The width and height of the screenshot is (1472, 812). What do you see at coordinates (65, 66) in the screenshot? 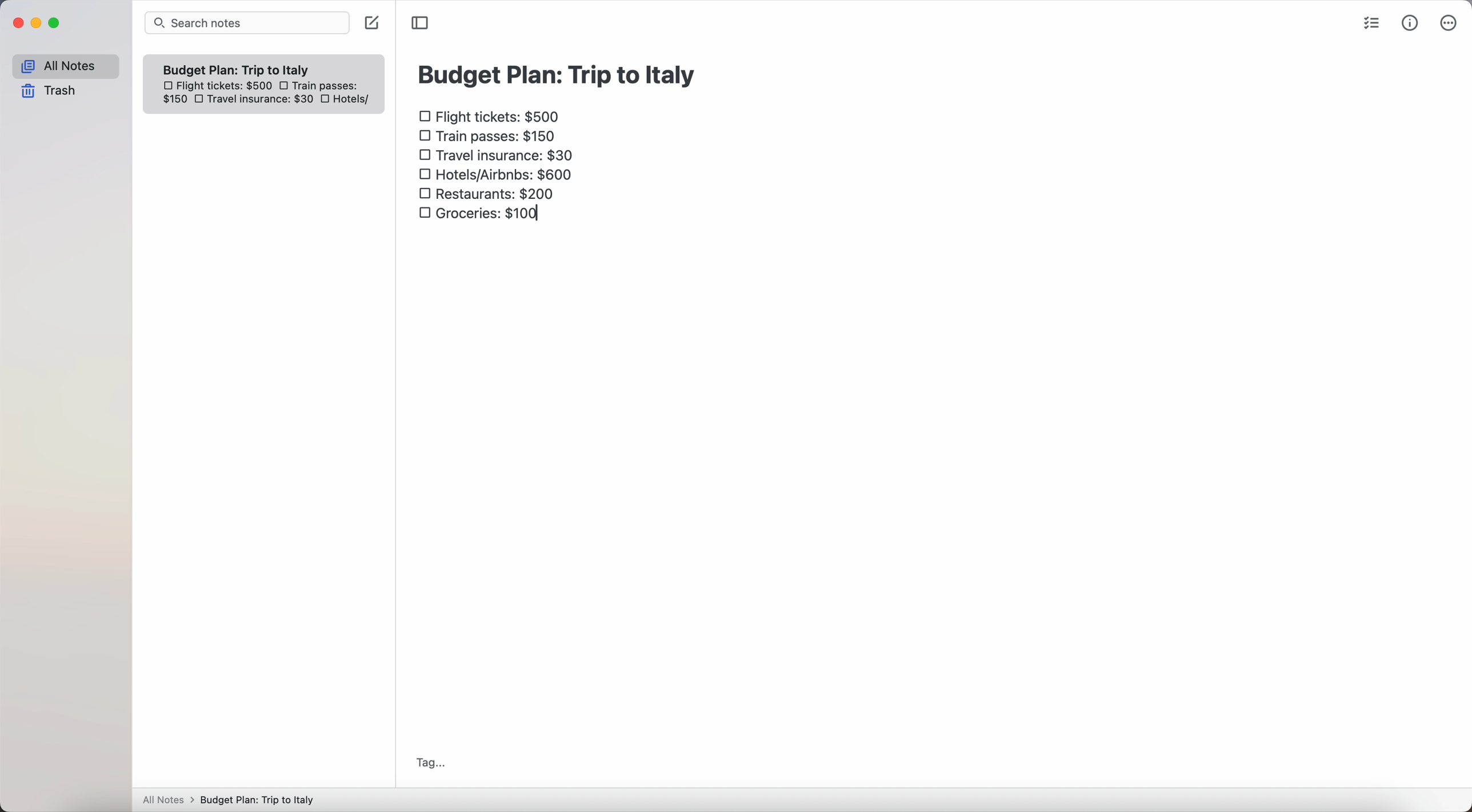
I see `all notes` at bounding box center [65, 66].